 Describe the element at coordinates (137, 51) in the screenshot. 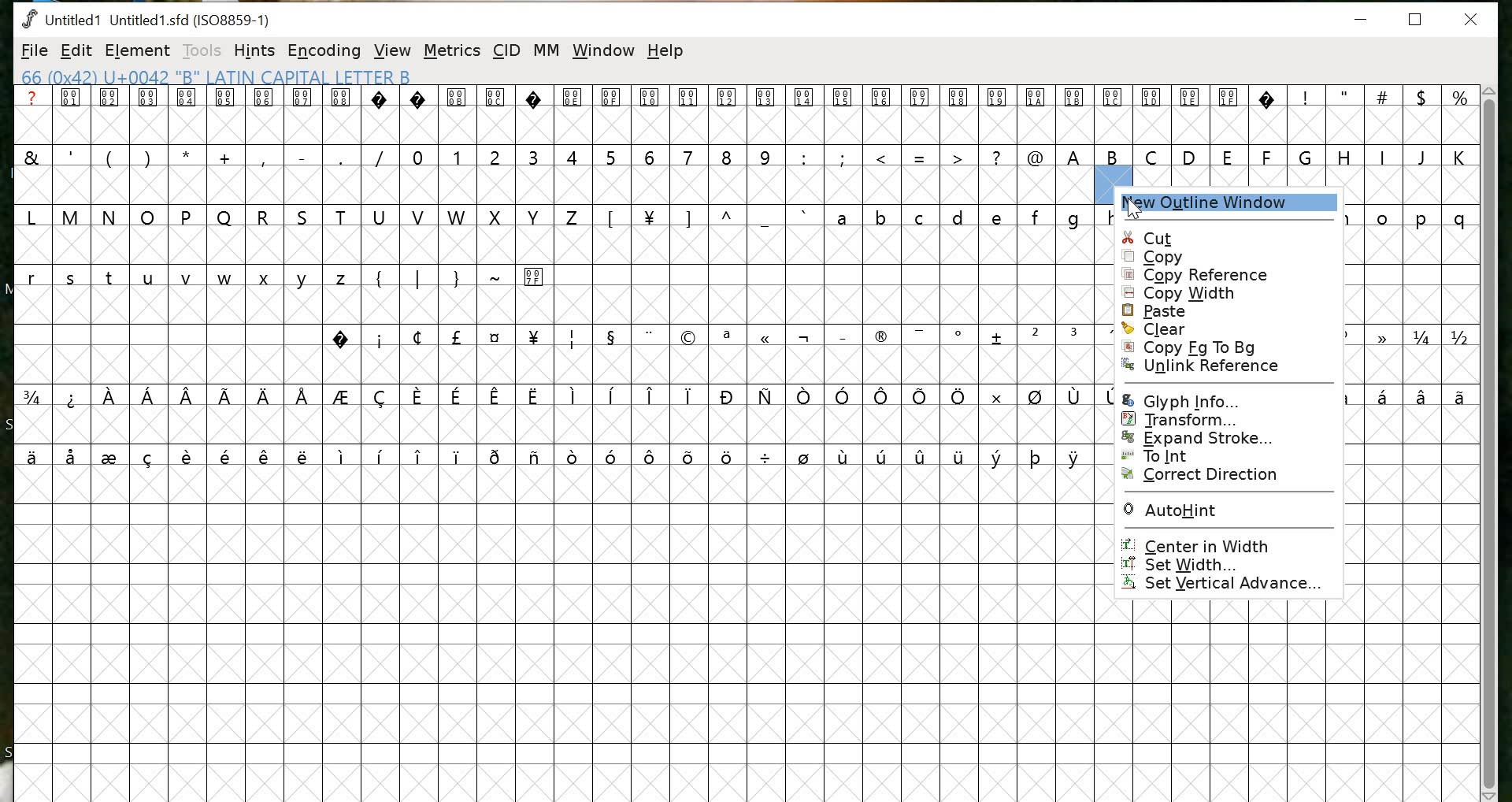

I see `ELEMENT` at that location.